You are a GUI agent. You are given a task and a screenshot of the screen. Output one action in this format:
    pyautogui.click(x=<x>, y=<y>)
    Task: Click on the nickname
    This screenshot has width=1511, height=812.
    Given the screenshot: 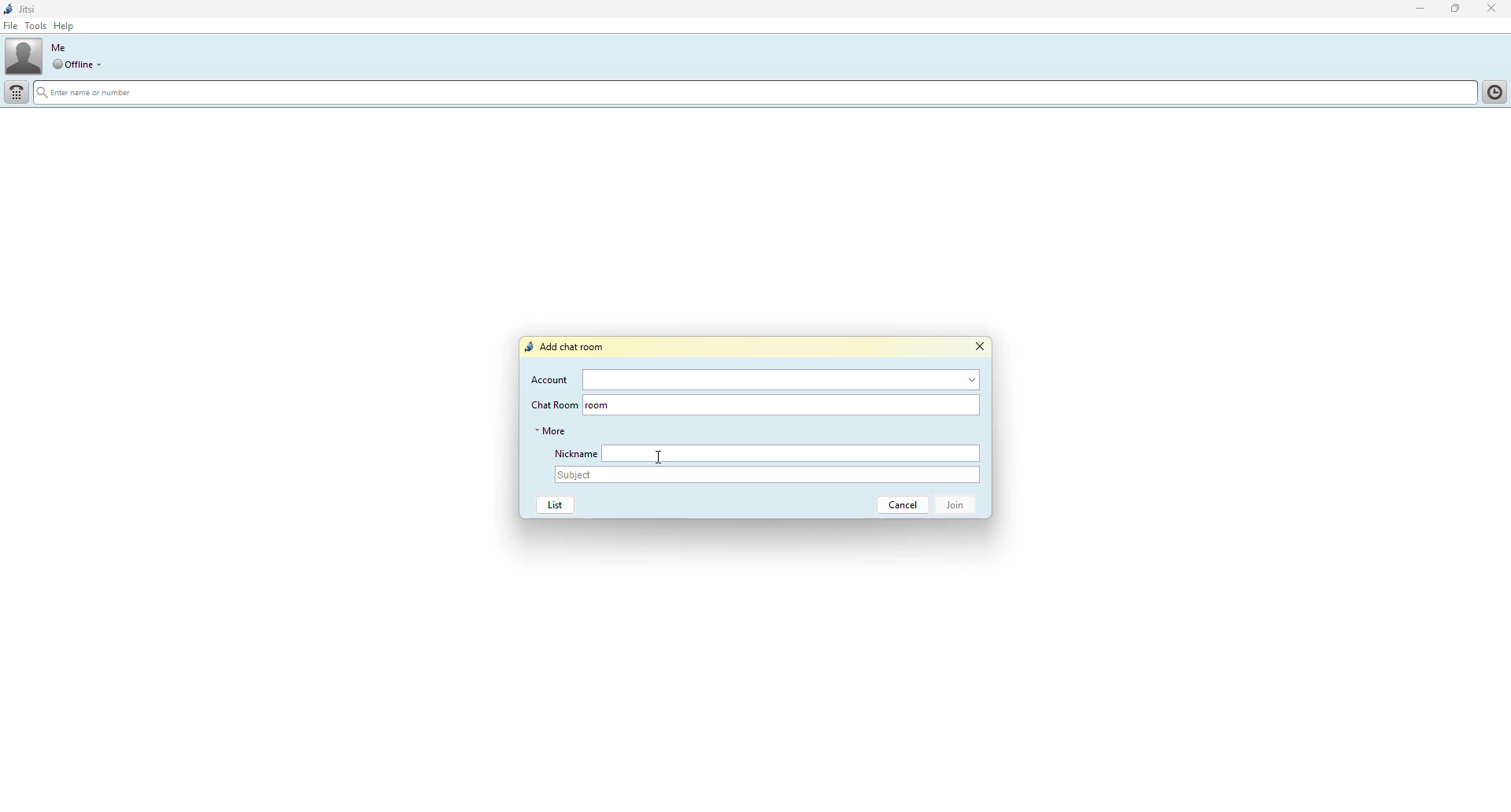 What is the action you would take?
    pyautogui.click(x=792, y=453)
    